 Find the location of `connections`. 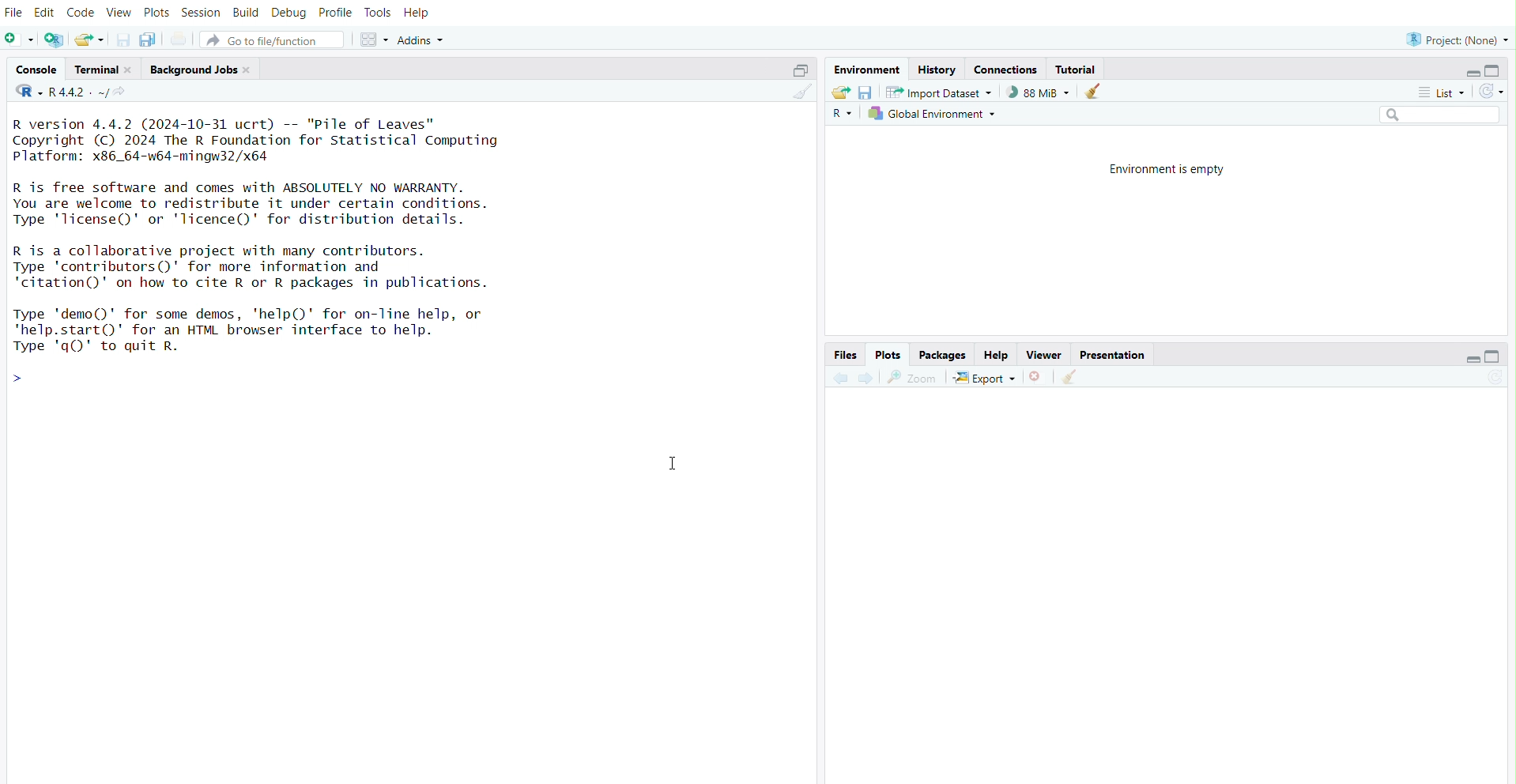

connections is located at coordinates (1006, 68).